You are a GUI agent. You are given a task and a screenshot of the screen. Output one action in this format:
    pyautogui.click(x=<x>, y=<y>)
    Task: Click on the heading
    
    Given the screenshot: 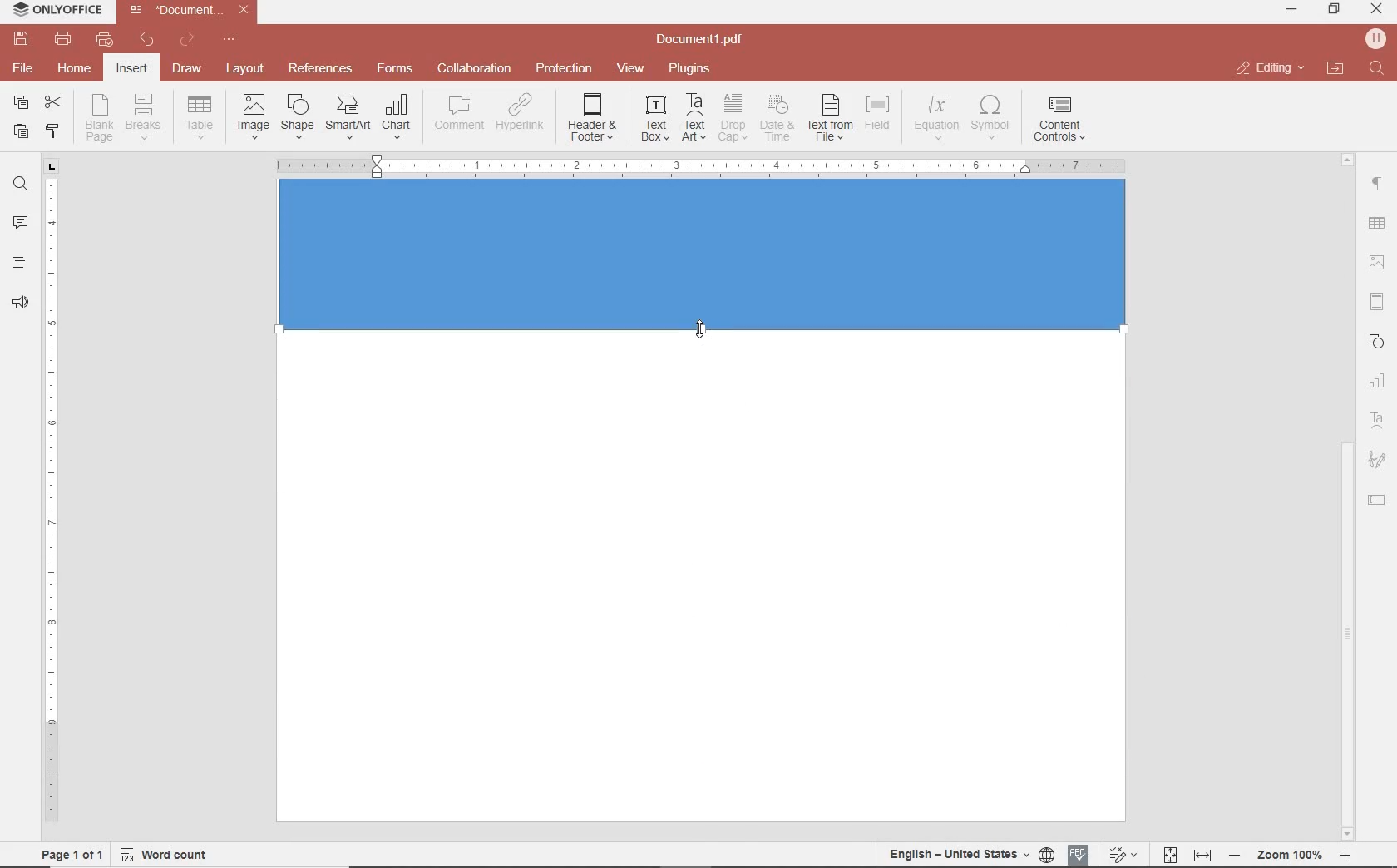 What is the action you would take?
    pyautogui.click(x=20, y=262)
    